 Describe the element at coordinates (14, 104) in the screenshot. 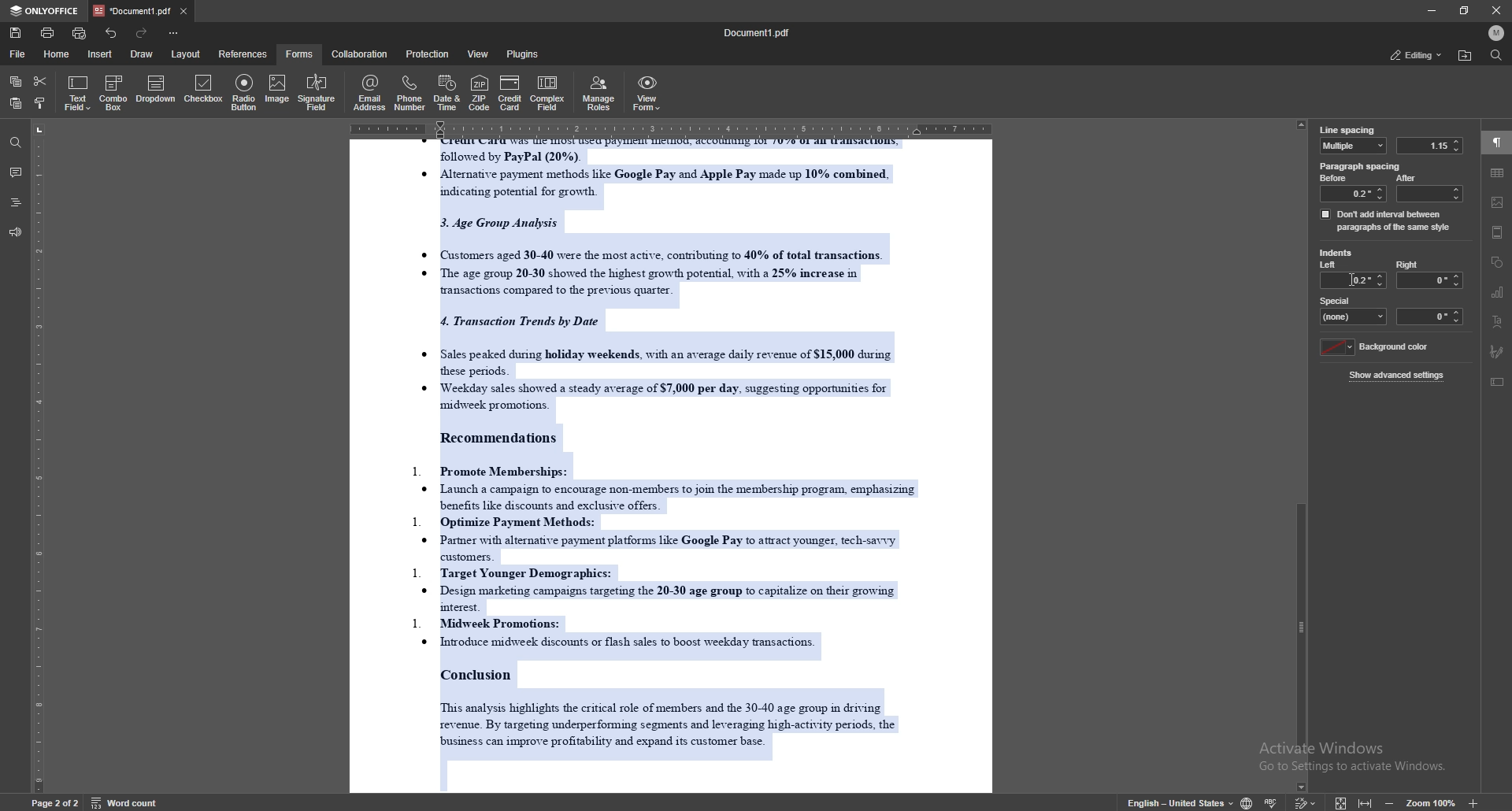

I see `paste` at that location.